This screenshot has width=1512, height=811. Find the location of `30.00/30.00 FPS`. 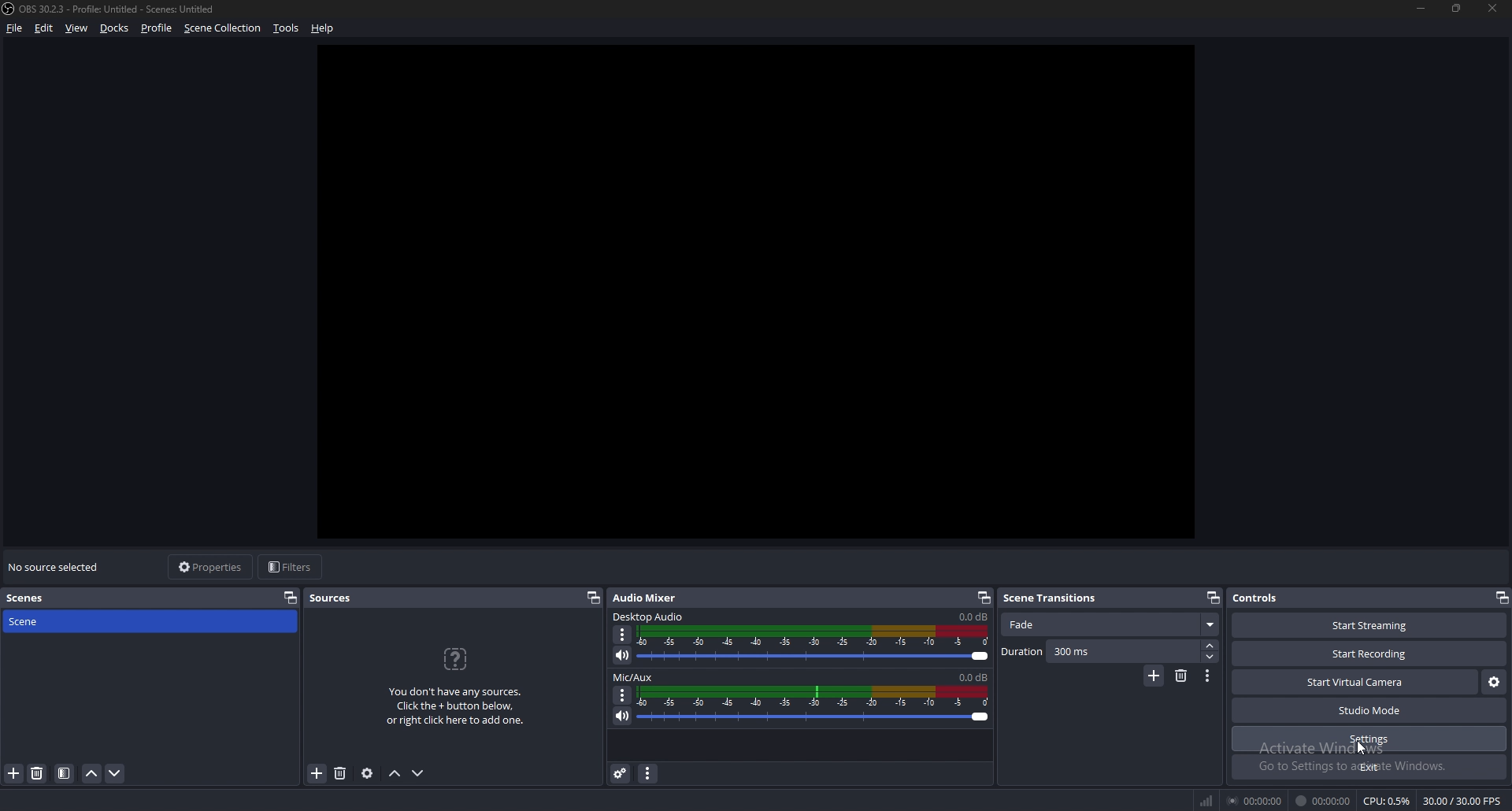

30.00/30.00 FPS is located at coordinates (1462, 802).